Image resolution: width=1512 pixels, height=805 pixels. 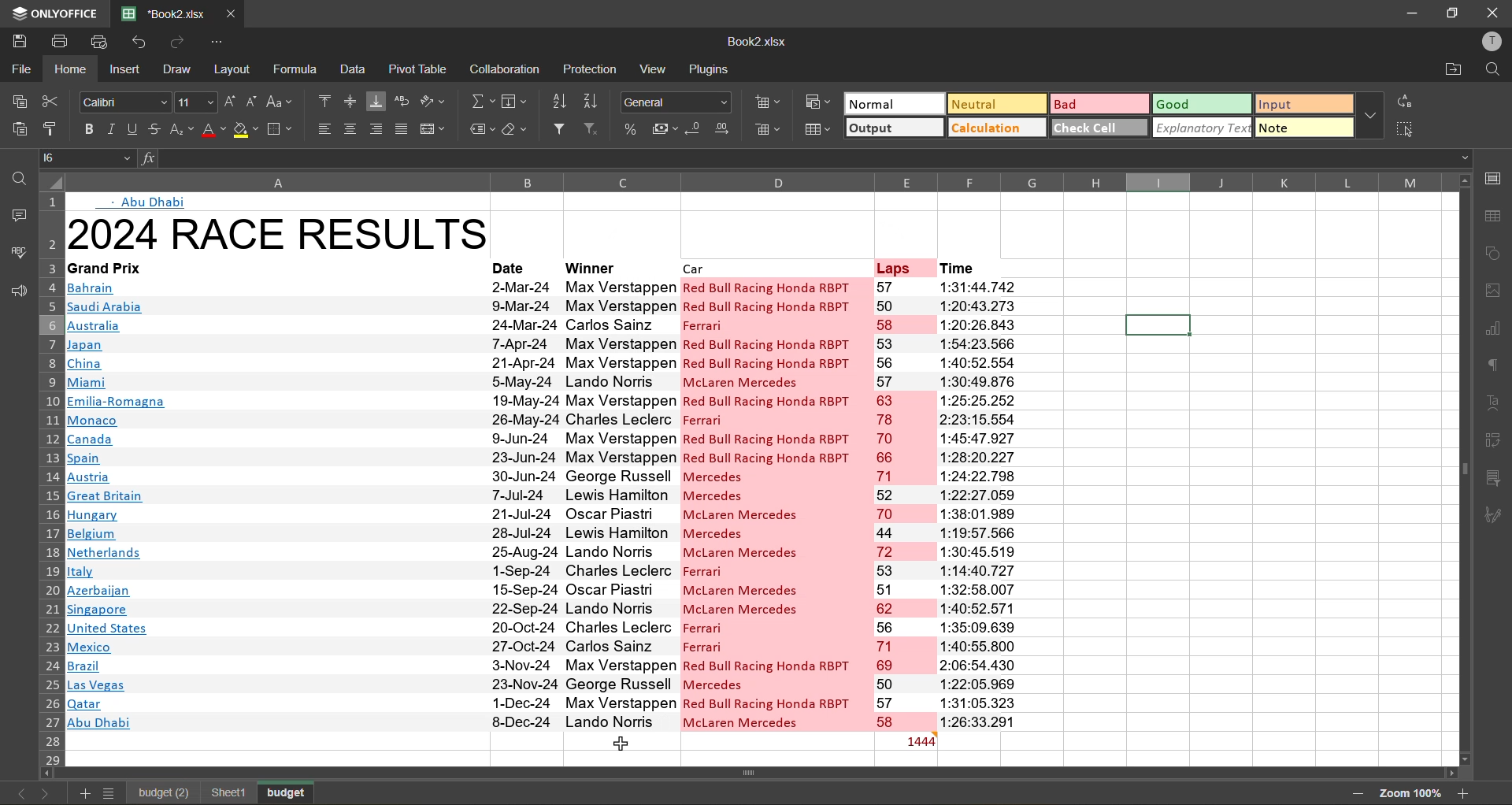 I want to click on laps, so click(x=903, y=504).